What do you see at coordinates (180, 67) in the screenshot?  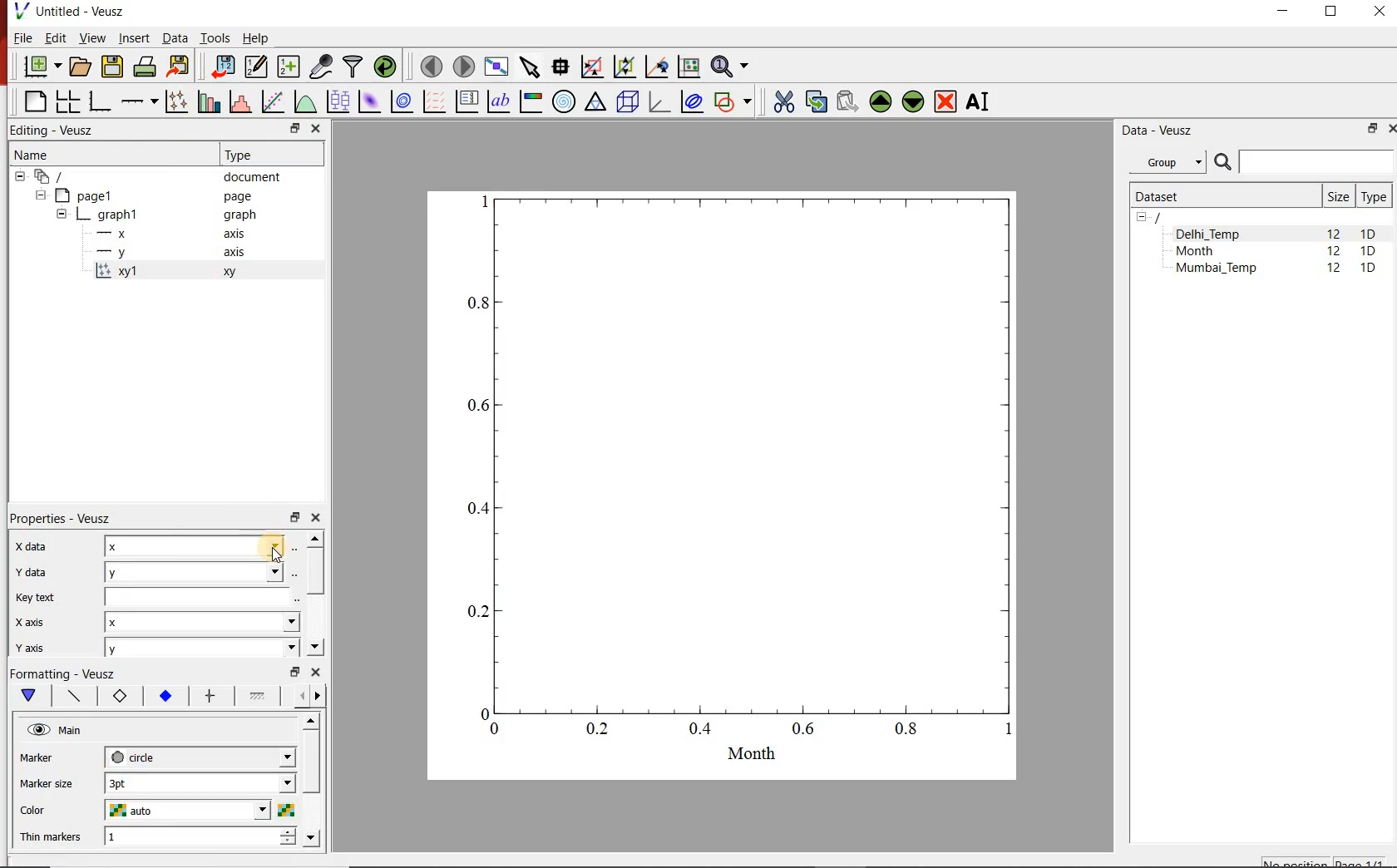 I see `export to graphics format` at bounding box center [180, 67].